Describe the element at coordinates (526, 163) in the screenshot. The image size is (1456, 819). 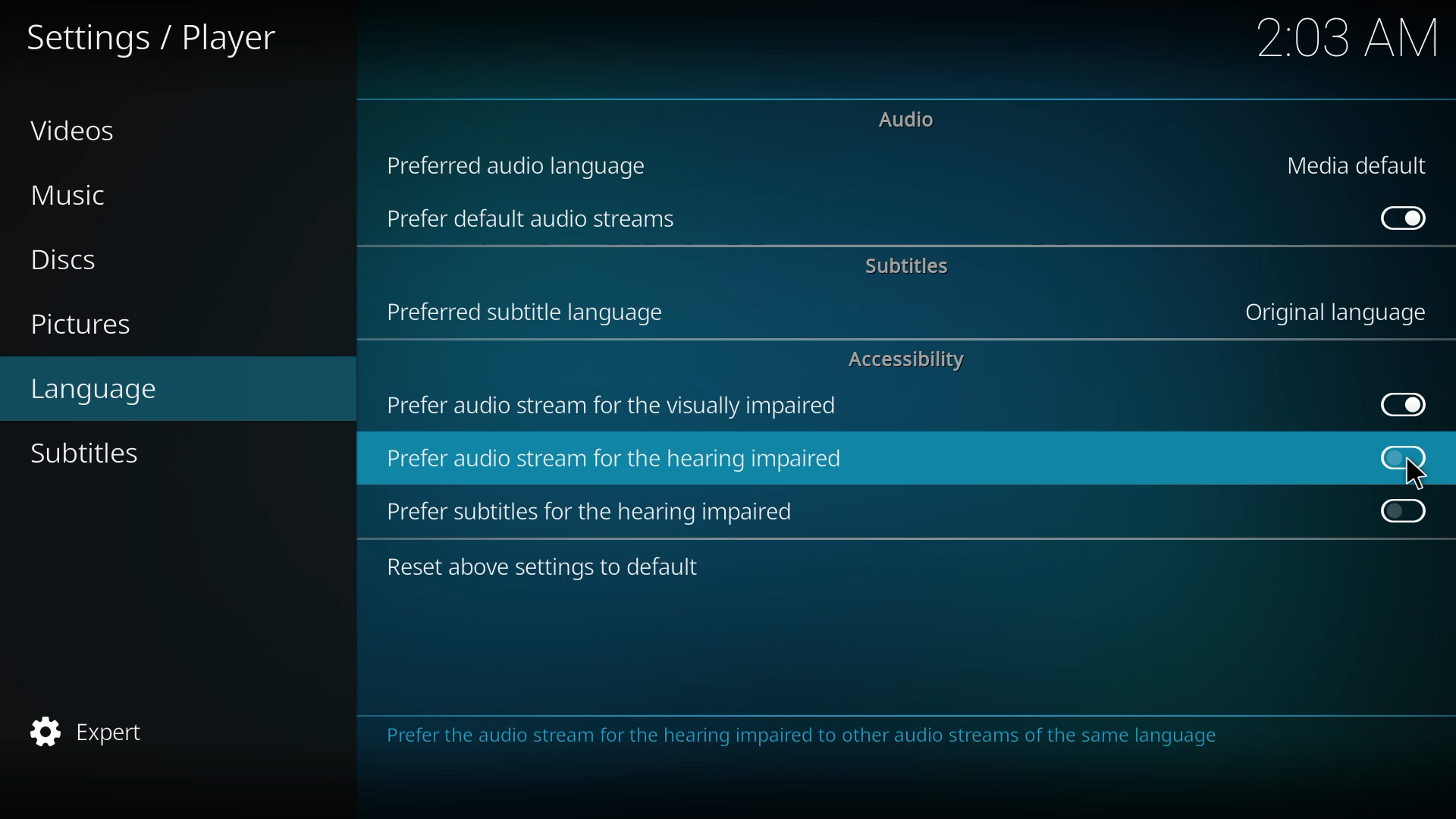
I see `preferred audio language` at that location.